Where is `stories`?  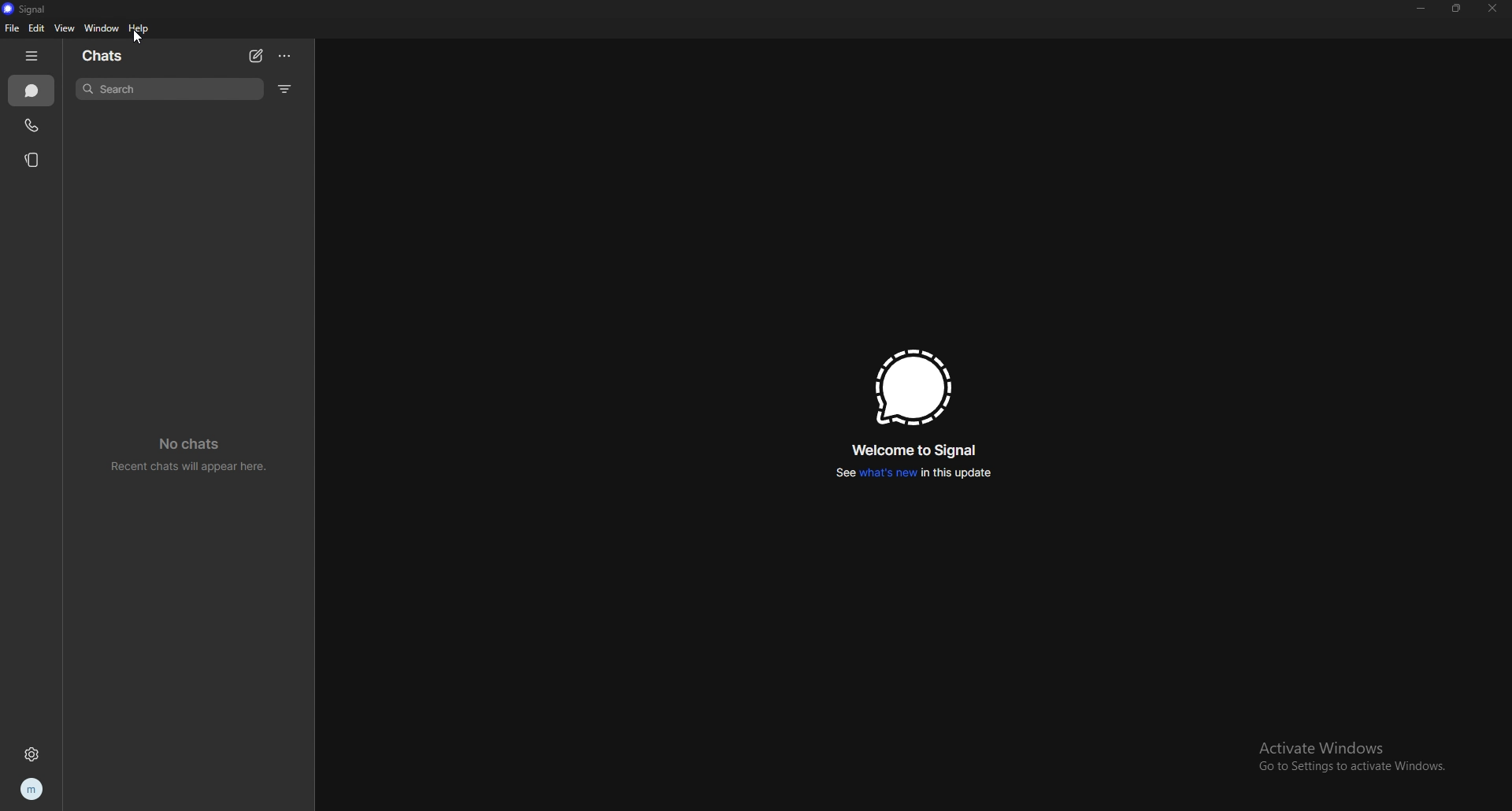
stories is located at coordinates (31, 160).